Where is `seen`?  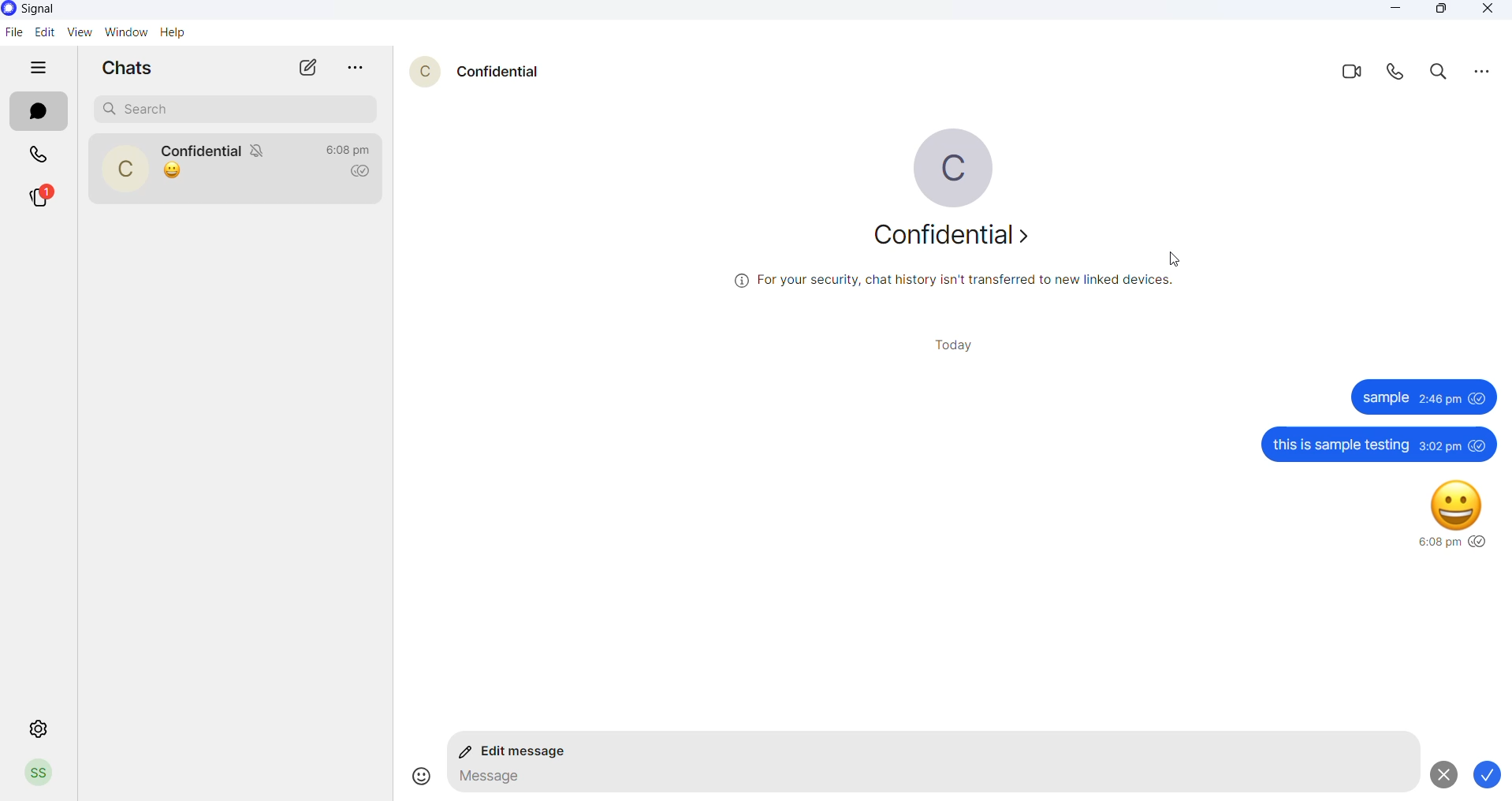
seen is located at coordinates (1480, 542).